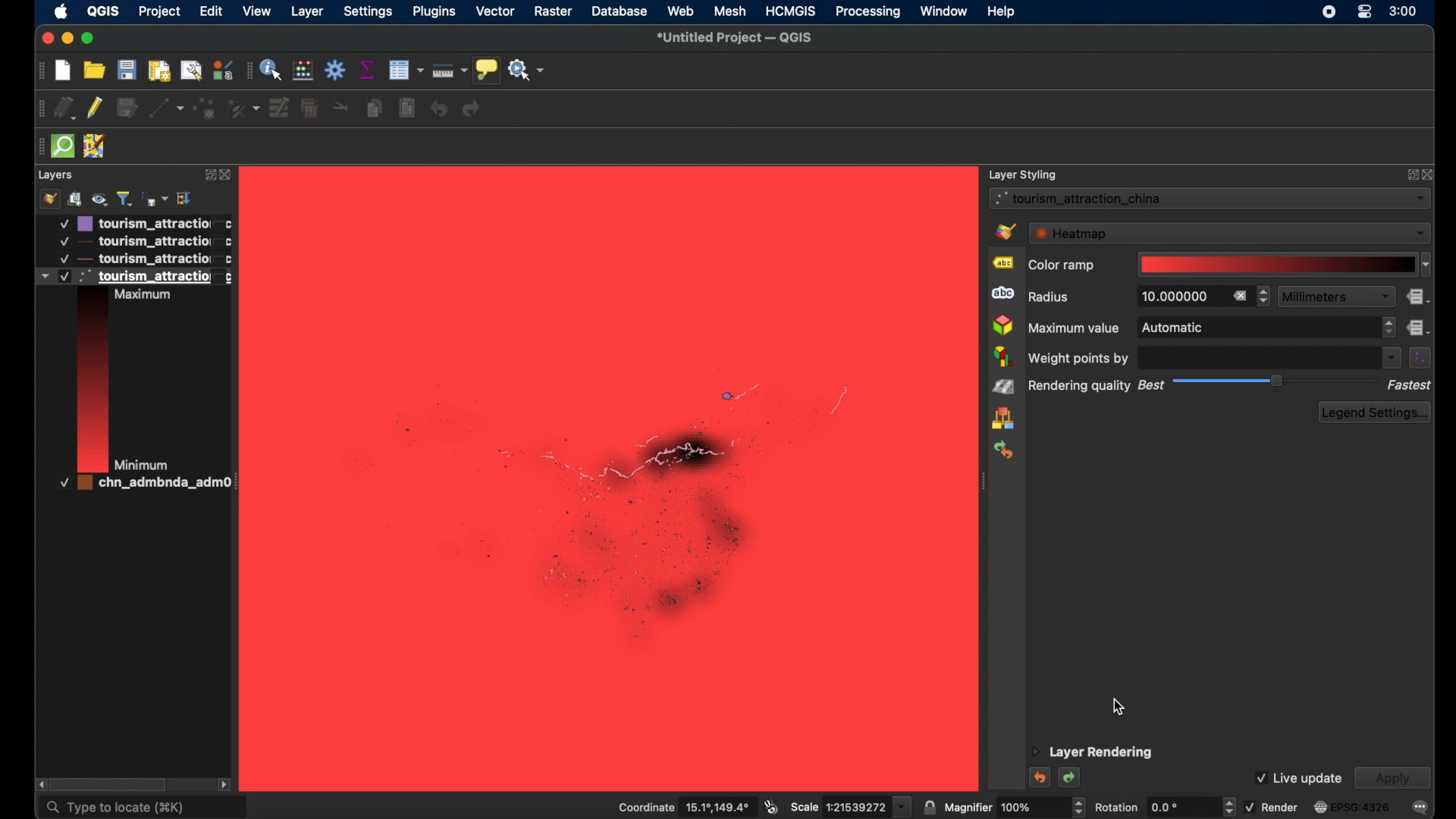 The image size is (1456, 819). Describe the element at coordinates (128, 70) in the screenshot. I see `save project` at that location.